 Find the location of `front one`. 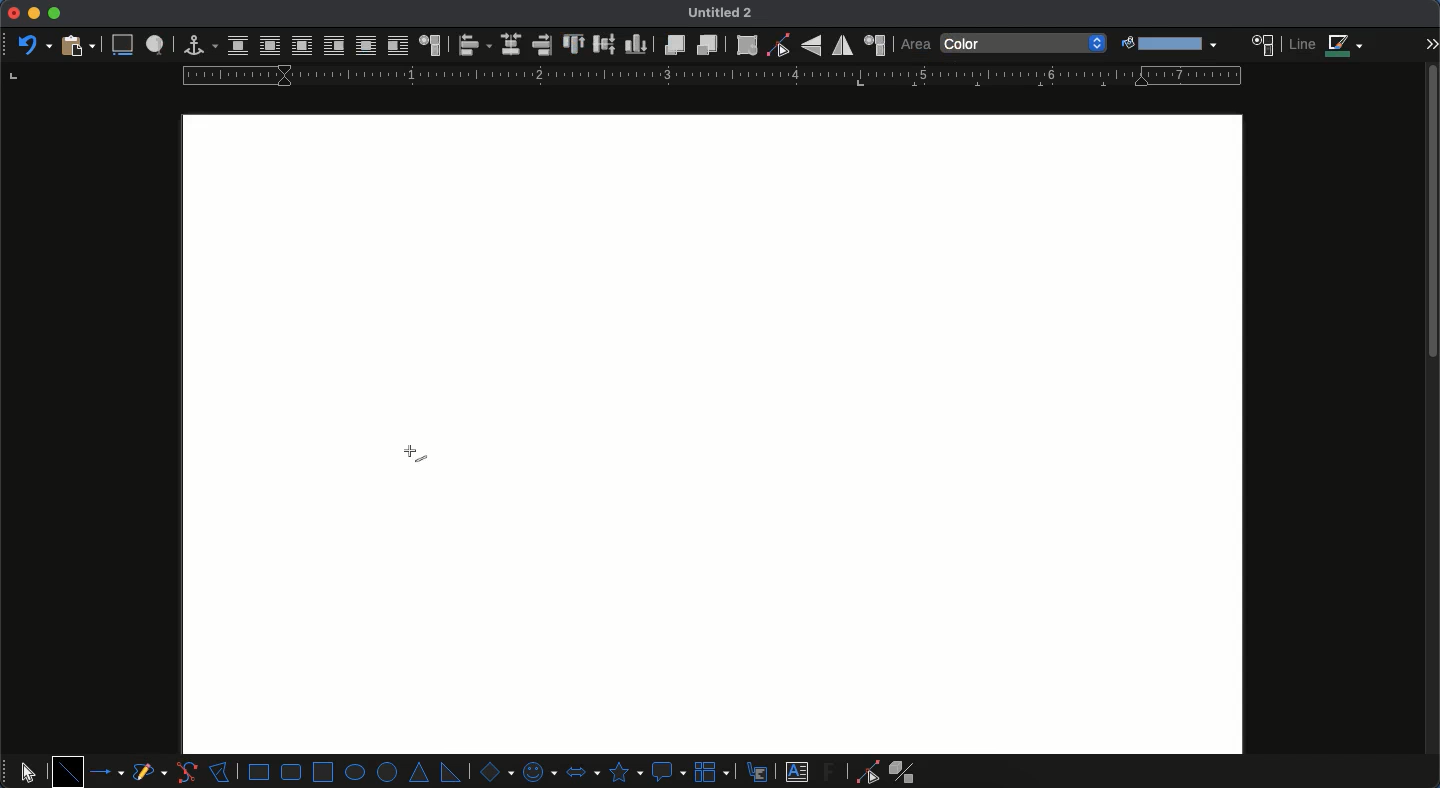

front one is located at coordinates (673, 44).